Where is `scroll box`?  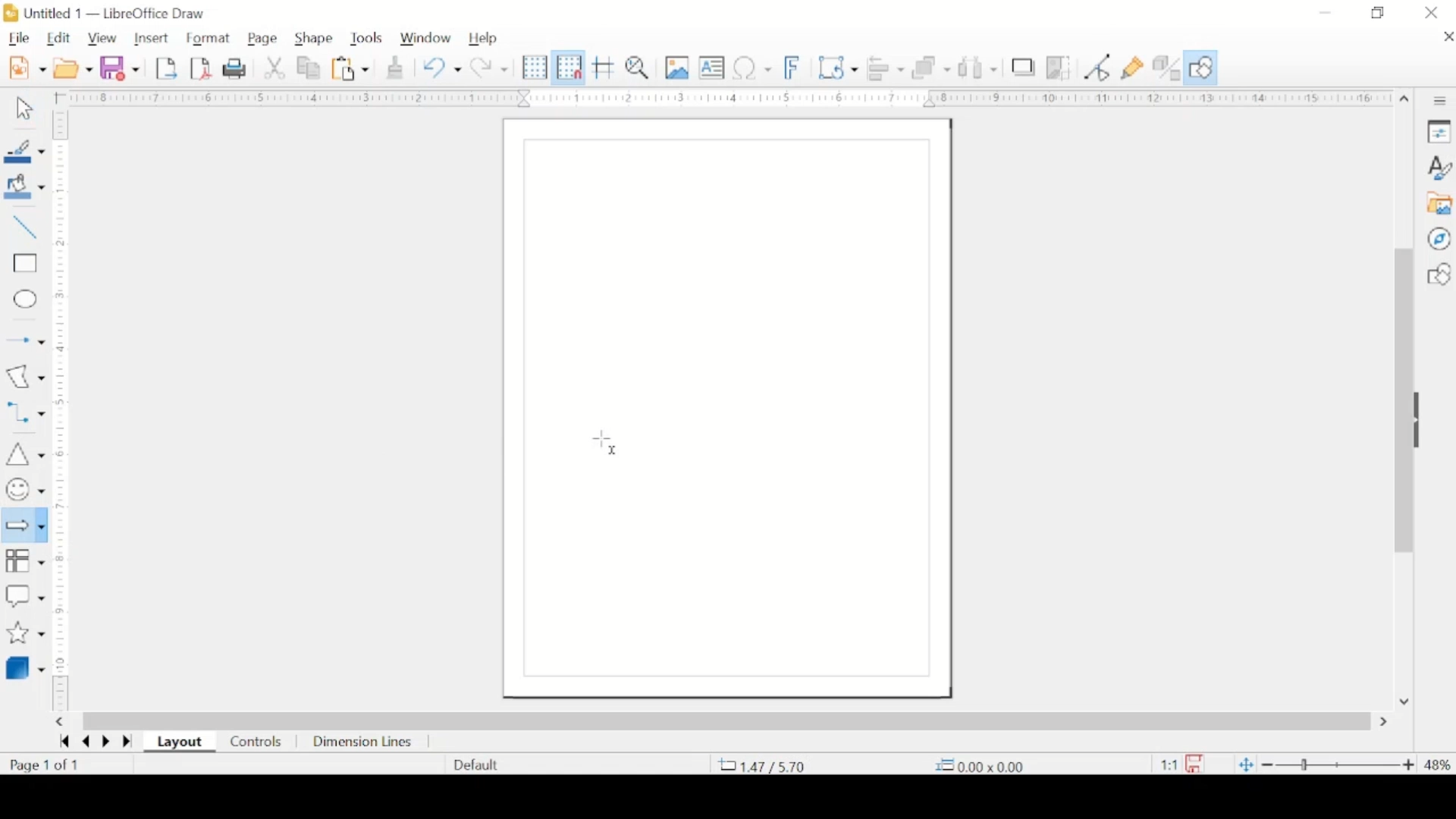
scroll box is located at coordinates (727, 721).